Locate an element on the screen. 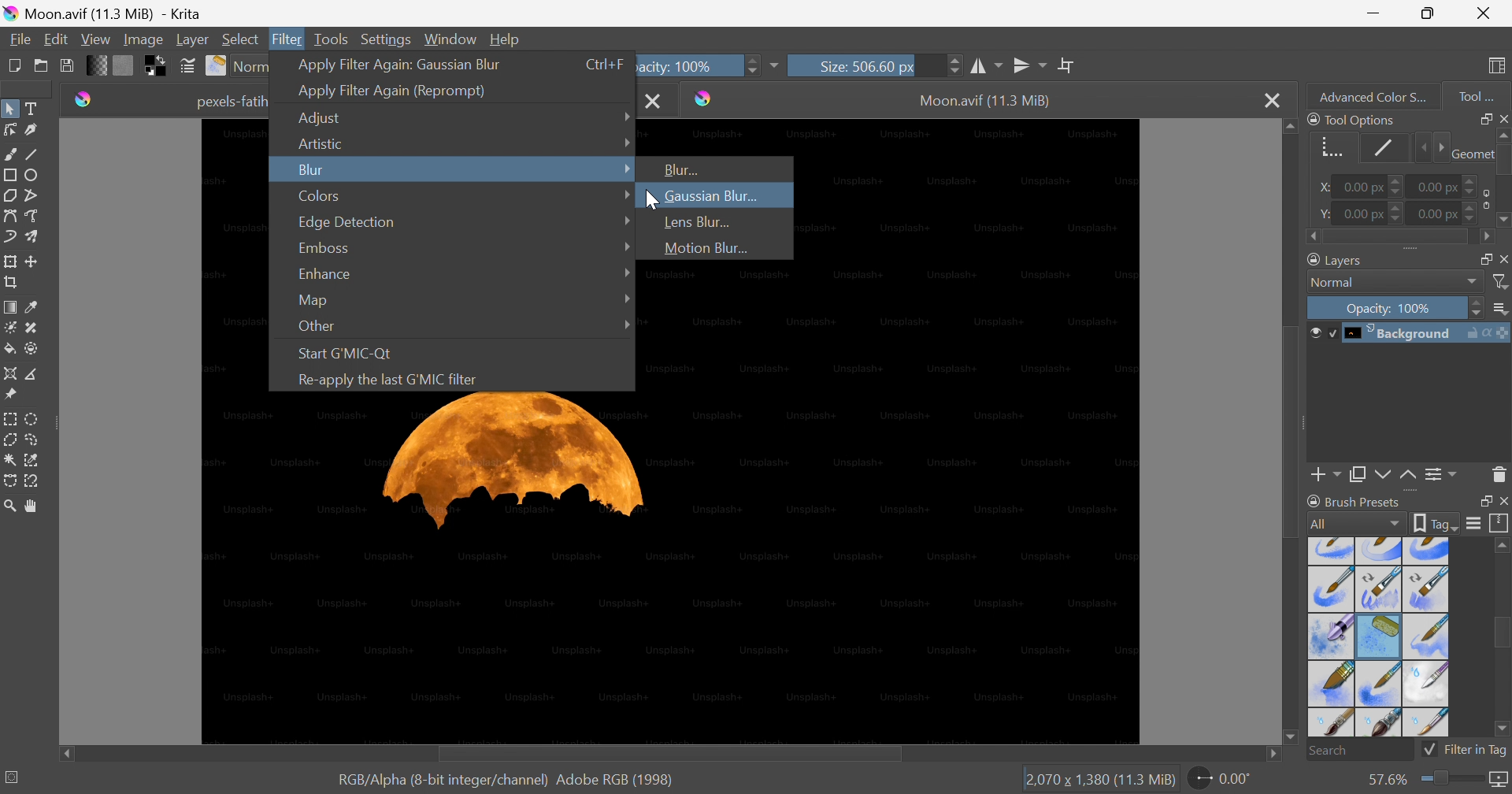  Horizontal mirror tool is located at coordinates (986, 66).